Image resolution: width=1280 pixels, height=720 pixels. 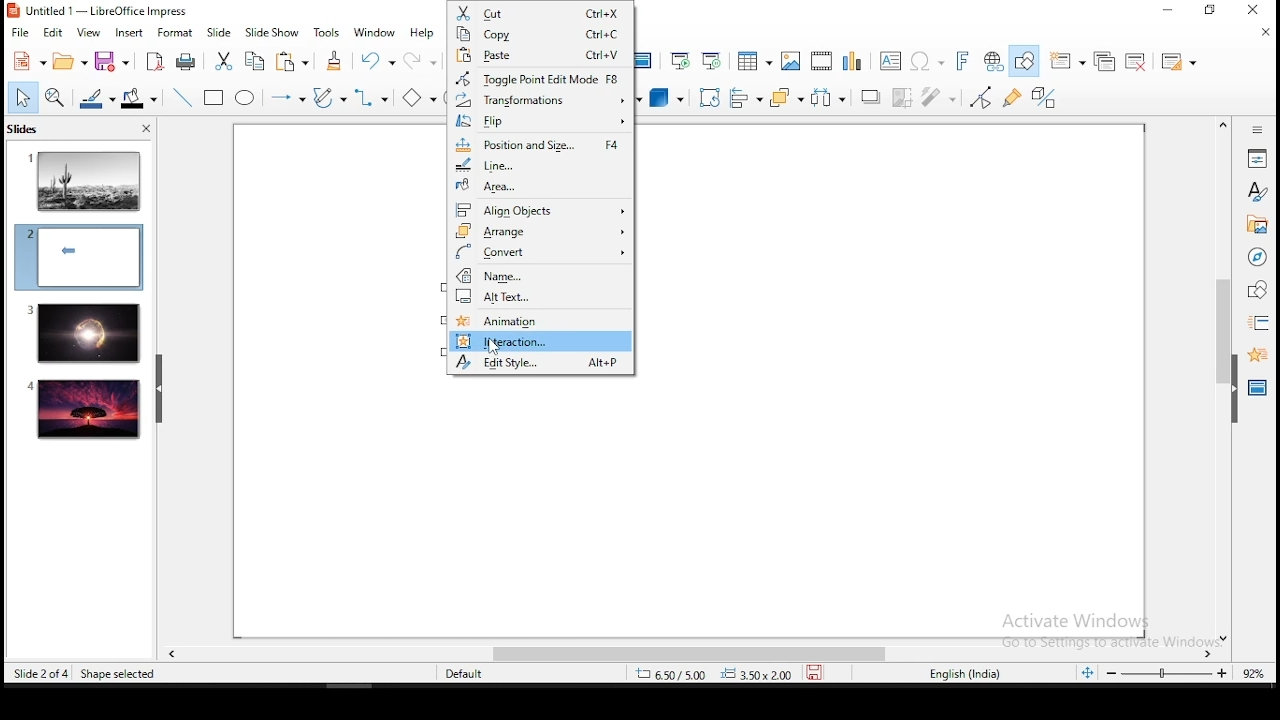 What do you see at coordinates (855, 61) in the screenshot?
I see `charts` at bounding box center [855, 61].